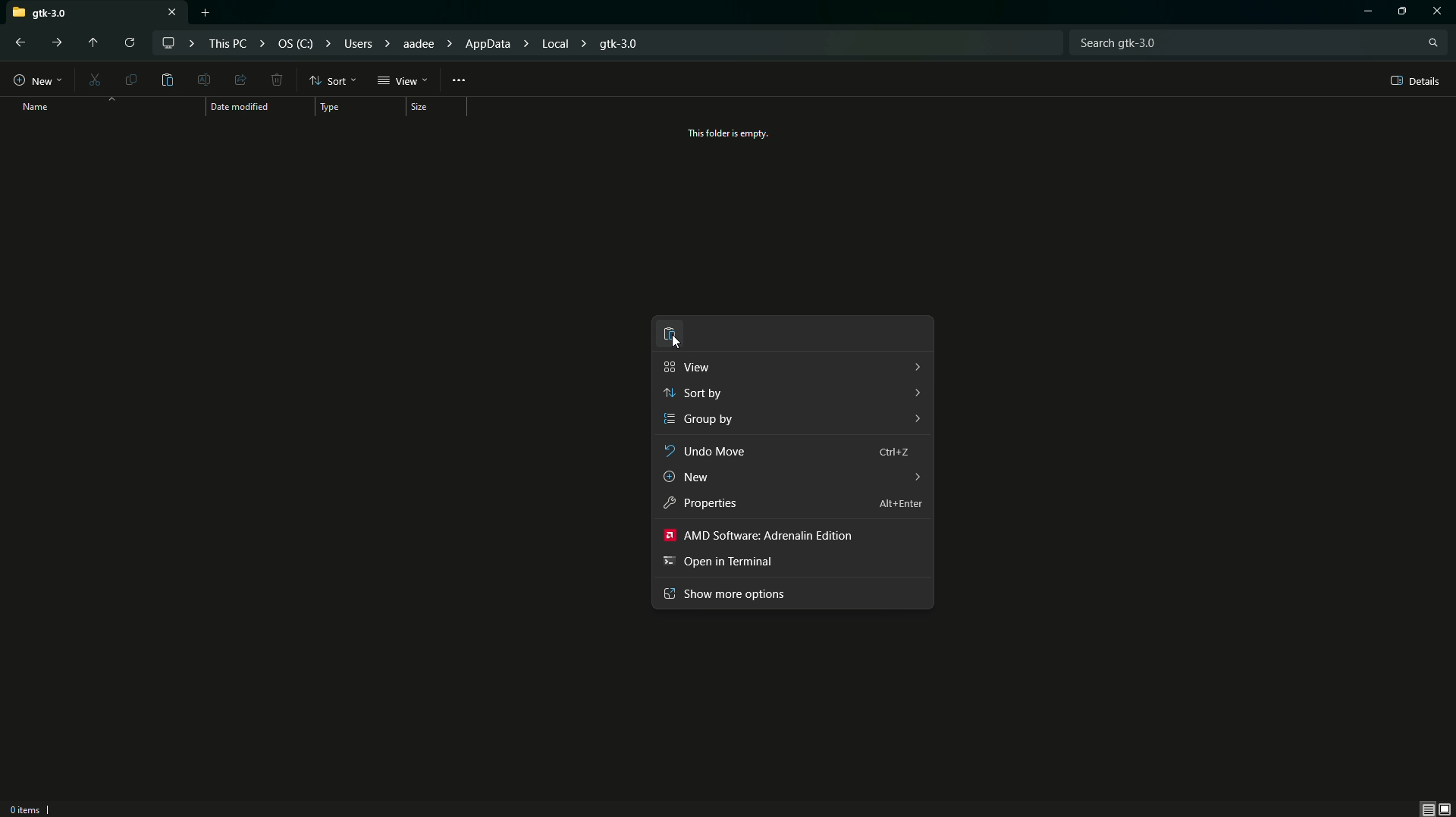 The width and height of the screenshot is (1456, 817). What do you see at coordinates (409, 43) in the screenshot?
I see `File path` at bounding box center [409, 43].